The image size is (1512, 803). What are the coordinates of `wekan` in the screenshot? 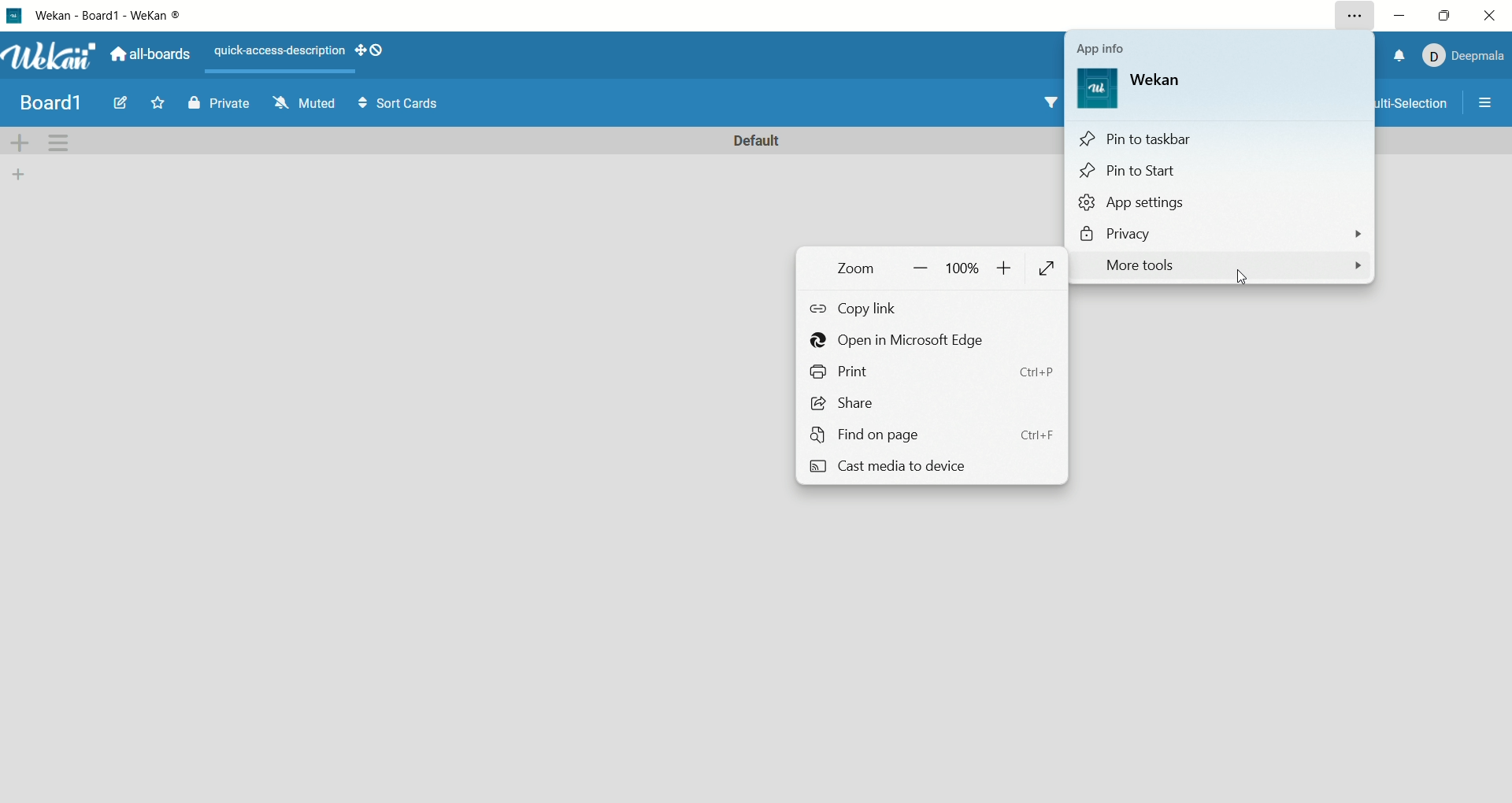 It's located at (50, 57).